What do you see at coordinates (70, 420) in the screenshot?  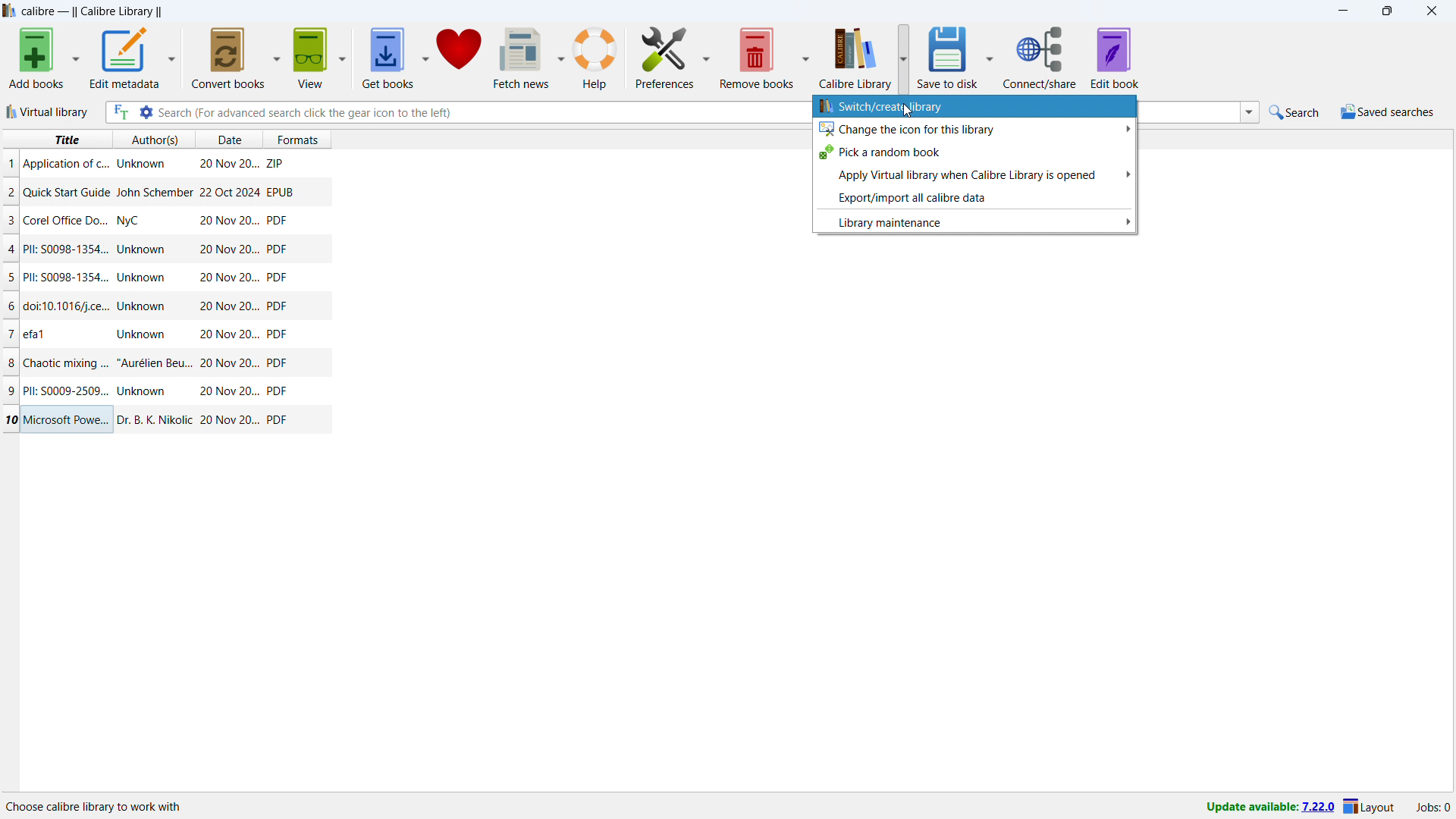 I see `Title` at bounding box center [70, 420].